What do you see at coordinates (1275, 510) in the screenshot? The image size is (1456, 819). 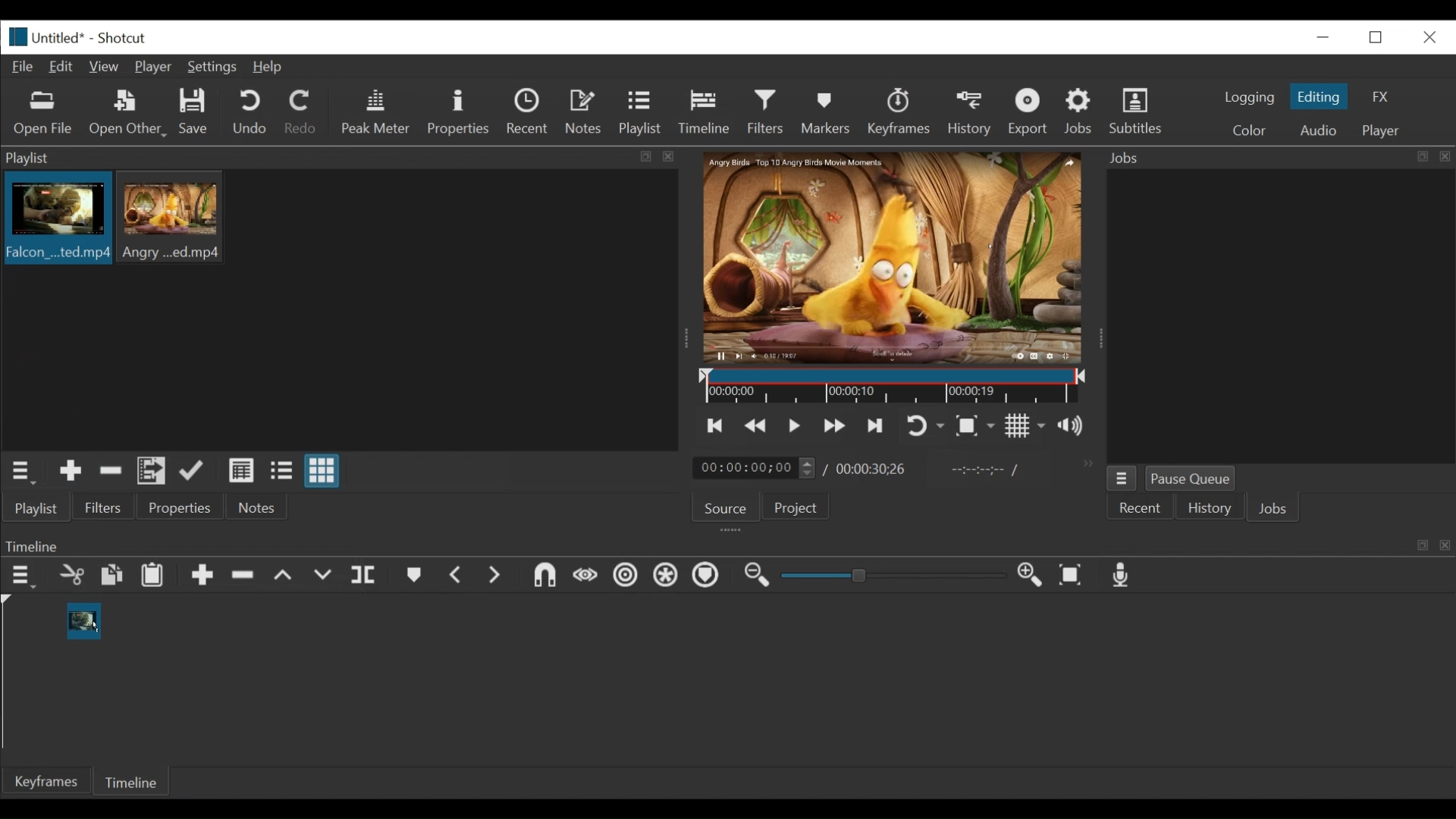 I see `JOBS` at bounding box center [1275, 510].